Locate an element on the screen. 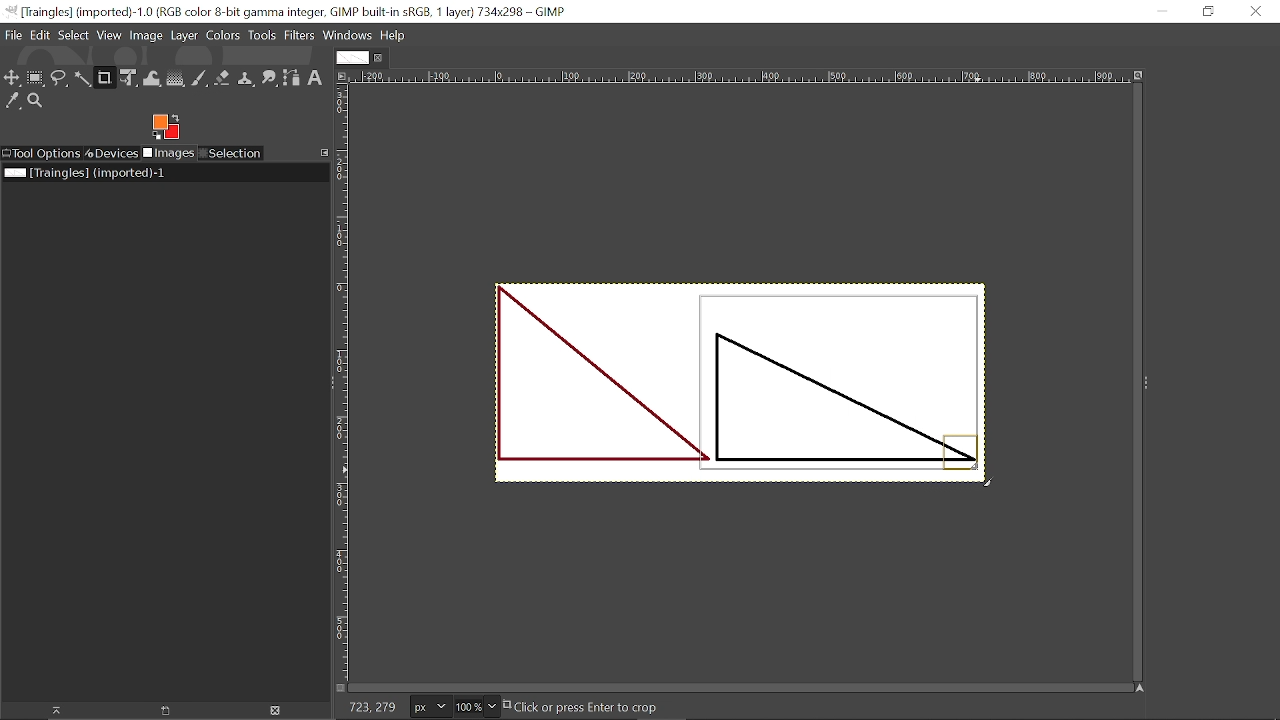 Image resolution: width=1280 pixels, height=720 pixels. click or press enter to crop is located at coordinates (607, 707).